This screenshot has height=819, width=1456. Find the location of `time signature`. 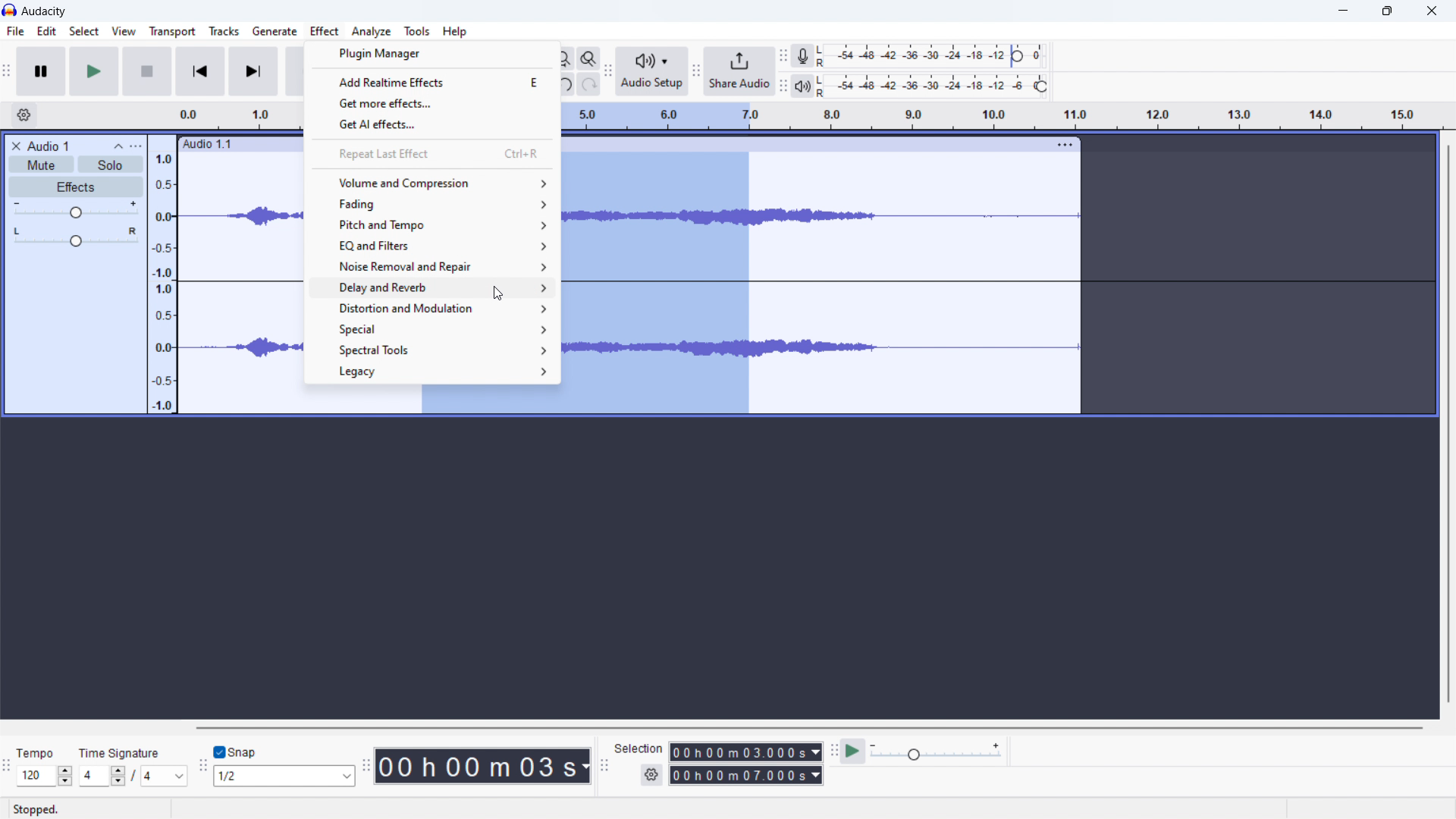

time signature is located at coordinates (120, 753).